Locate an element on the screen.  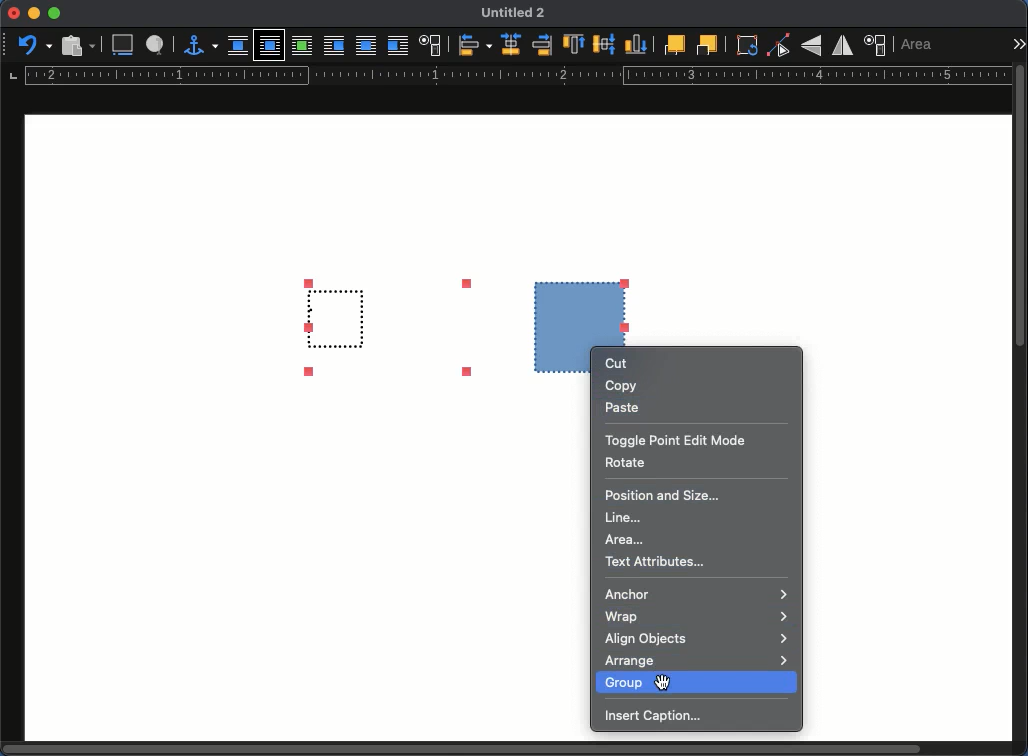
expand is located at coordinates (1018, 44).